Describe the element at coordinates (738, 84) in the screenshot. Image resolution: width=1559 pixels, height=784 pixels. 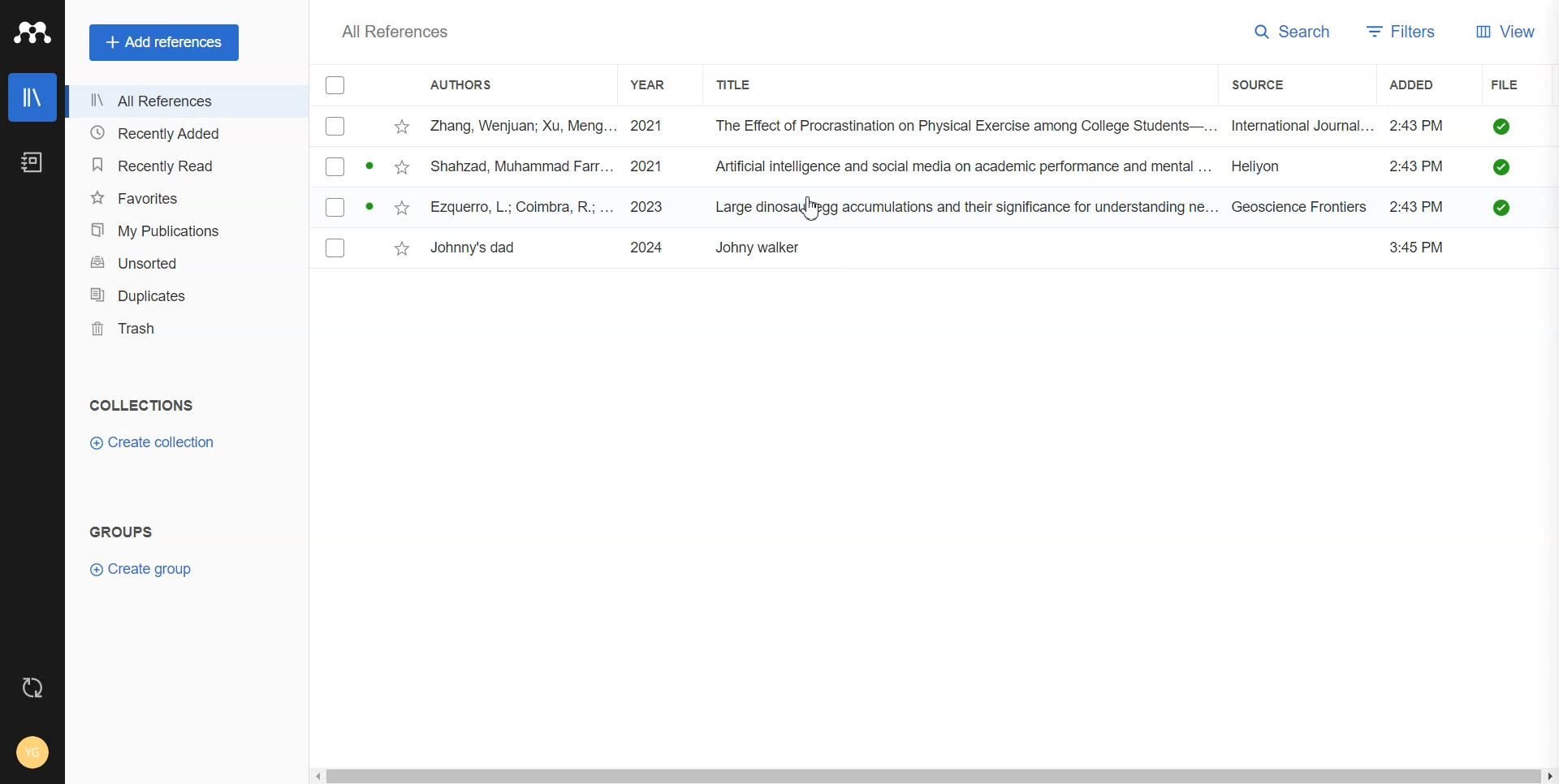
I see `Title` at that location.